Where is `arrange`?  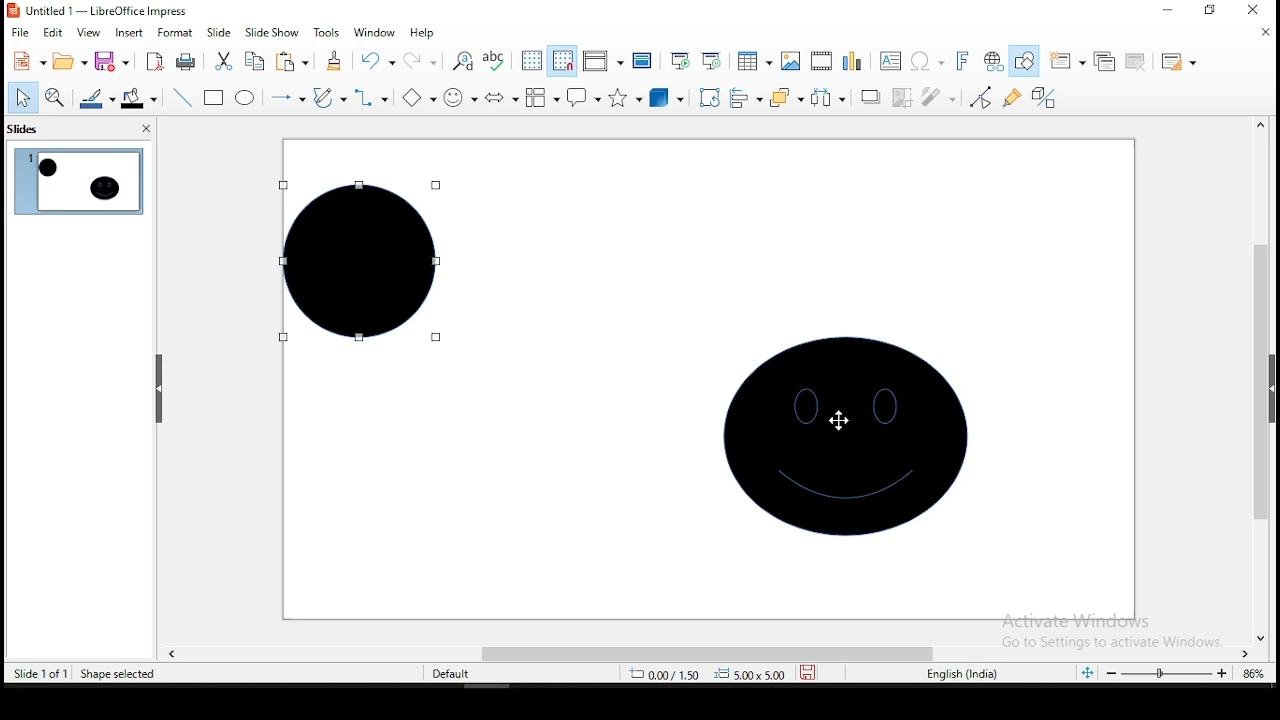
arrange is located at coordinates (785, 99).